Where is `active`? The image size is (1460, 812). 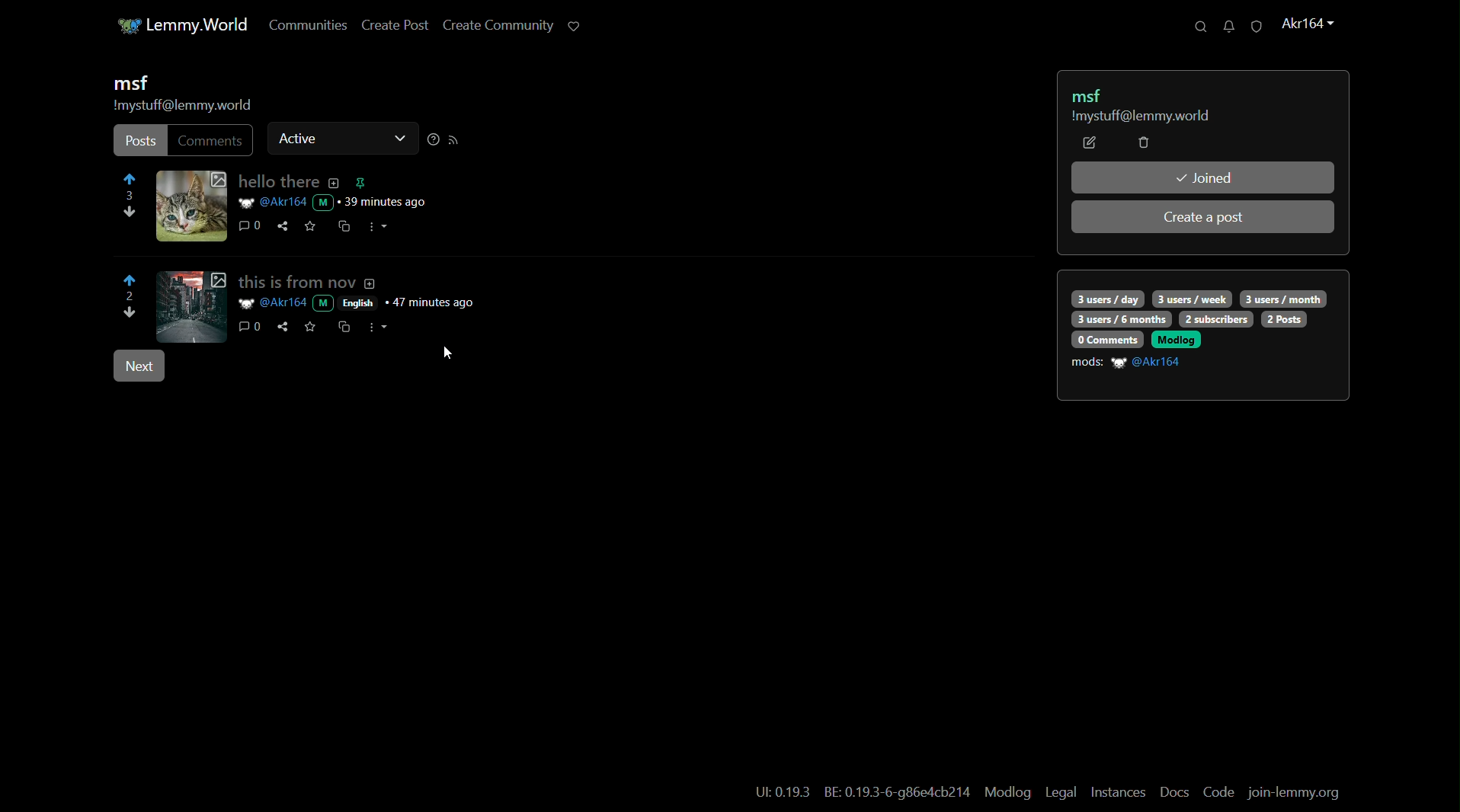
active is located at coordinates (299, 137).